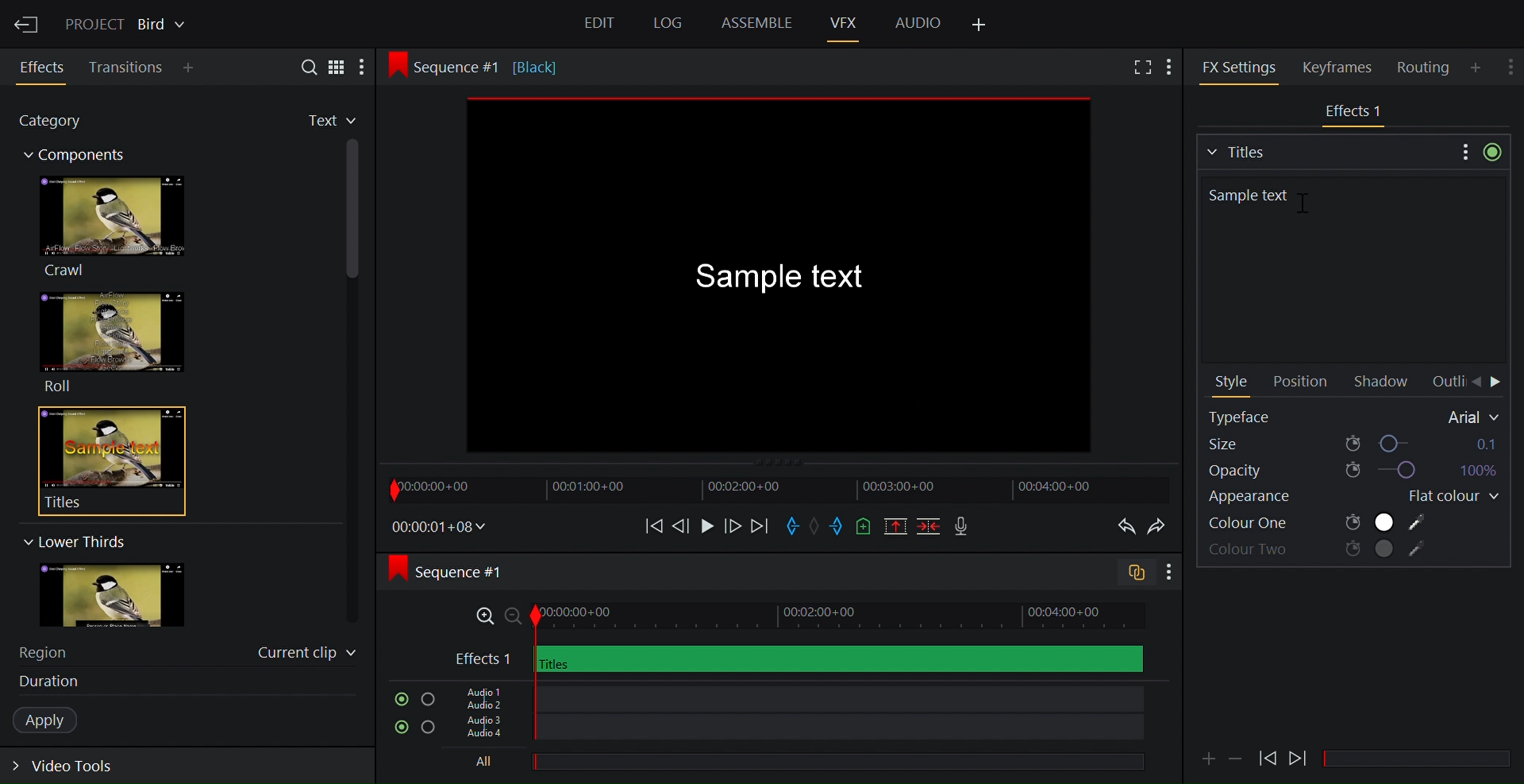 The width and height of the screenshot is (1524, 784). What do you see at coordinates (1512, 63) in the screenshot?
I see `Show settings menu` at bounding box center [1512, 63].